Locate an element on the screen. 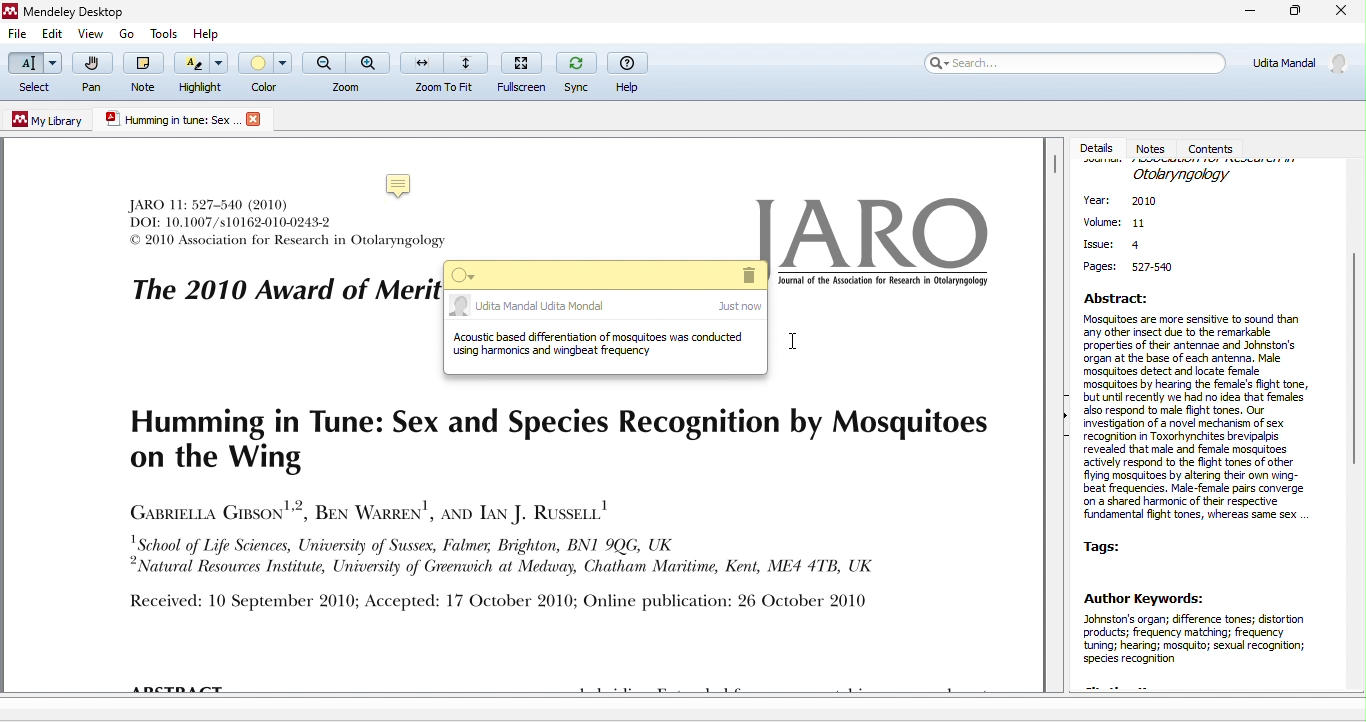 This screenshot has height=722, width=1366. vertical scroll bar is located at coordinates (1353, 354).